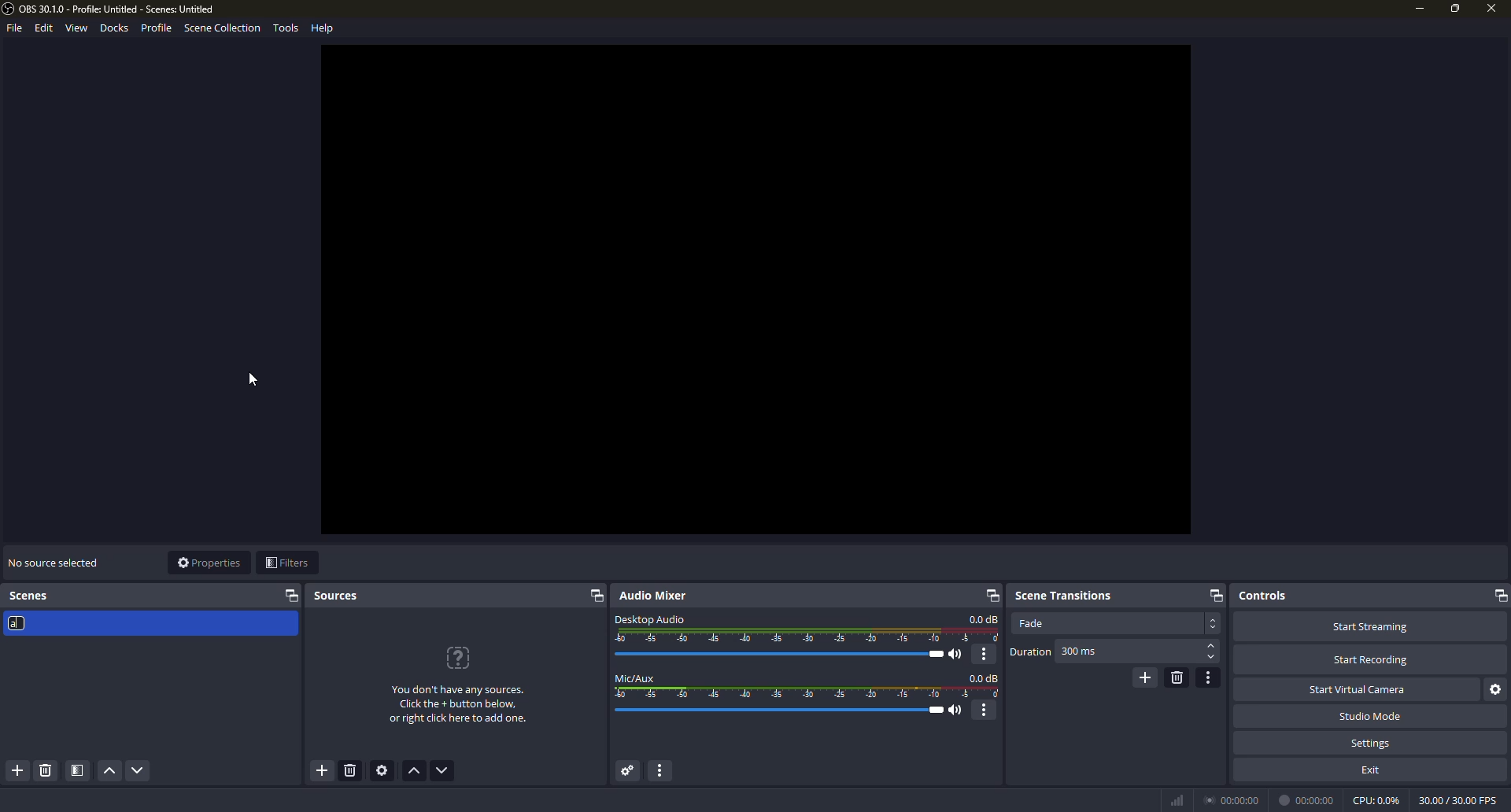 The width and height of the screenshot is (1511, 812). What do you see at coordinates (985, 677) in the screenshot?
I see `db` at bounding box center [985, 677].